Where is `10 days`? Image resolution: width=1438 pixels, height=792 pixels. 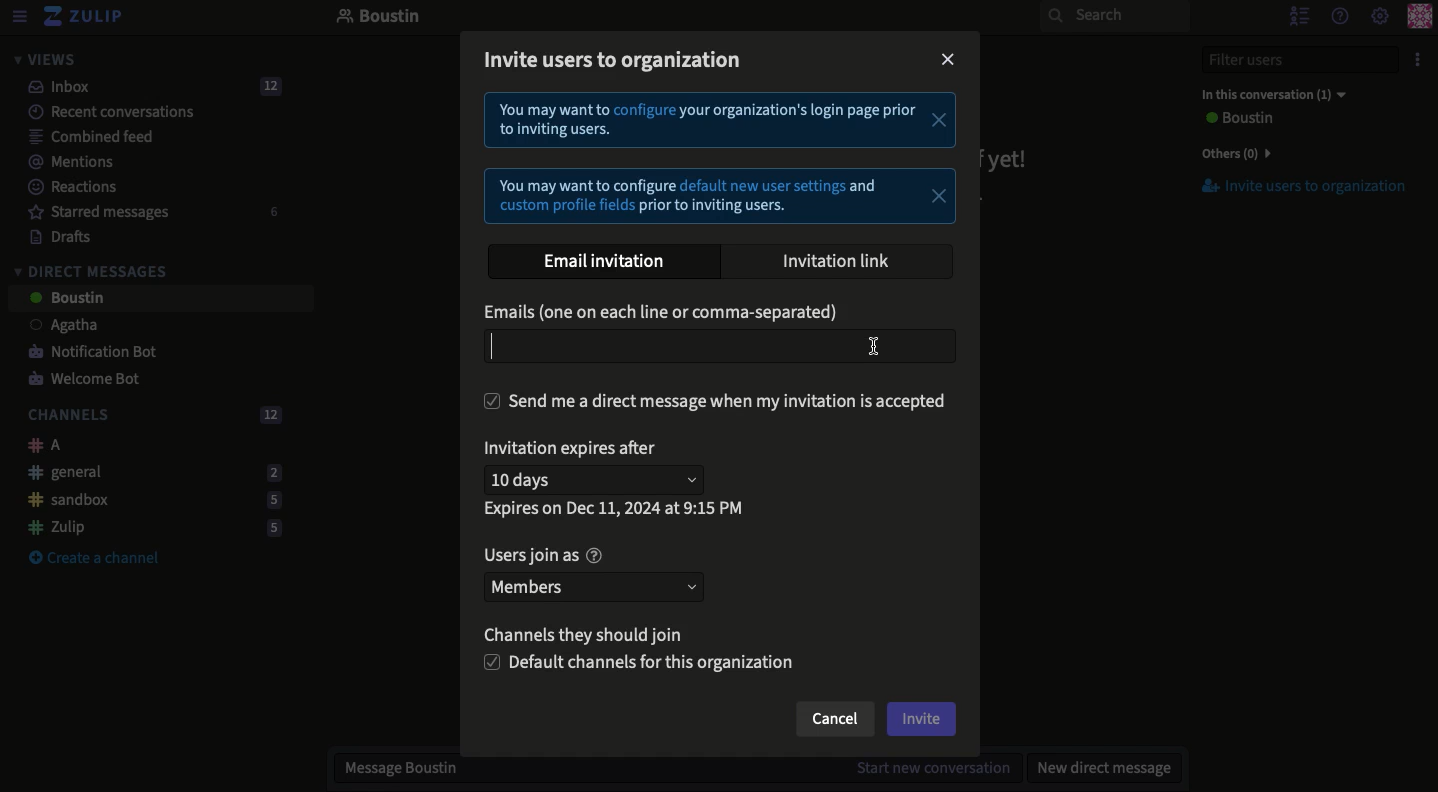
10 days is located at coordinates (598, 480).